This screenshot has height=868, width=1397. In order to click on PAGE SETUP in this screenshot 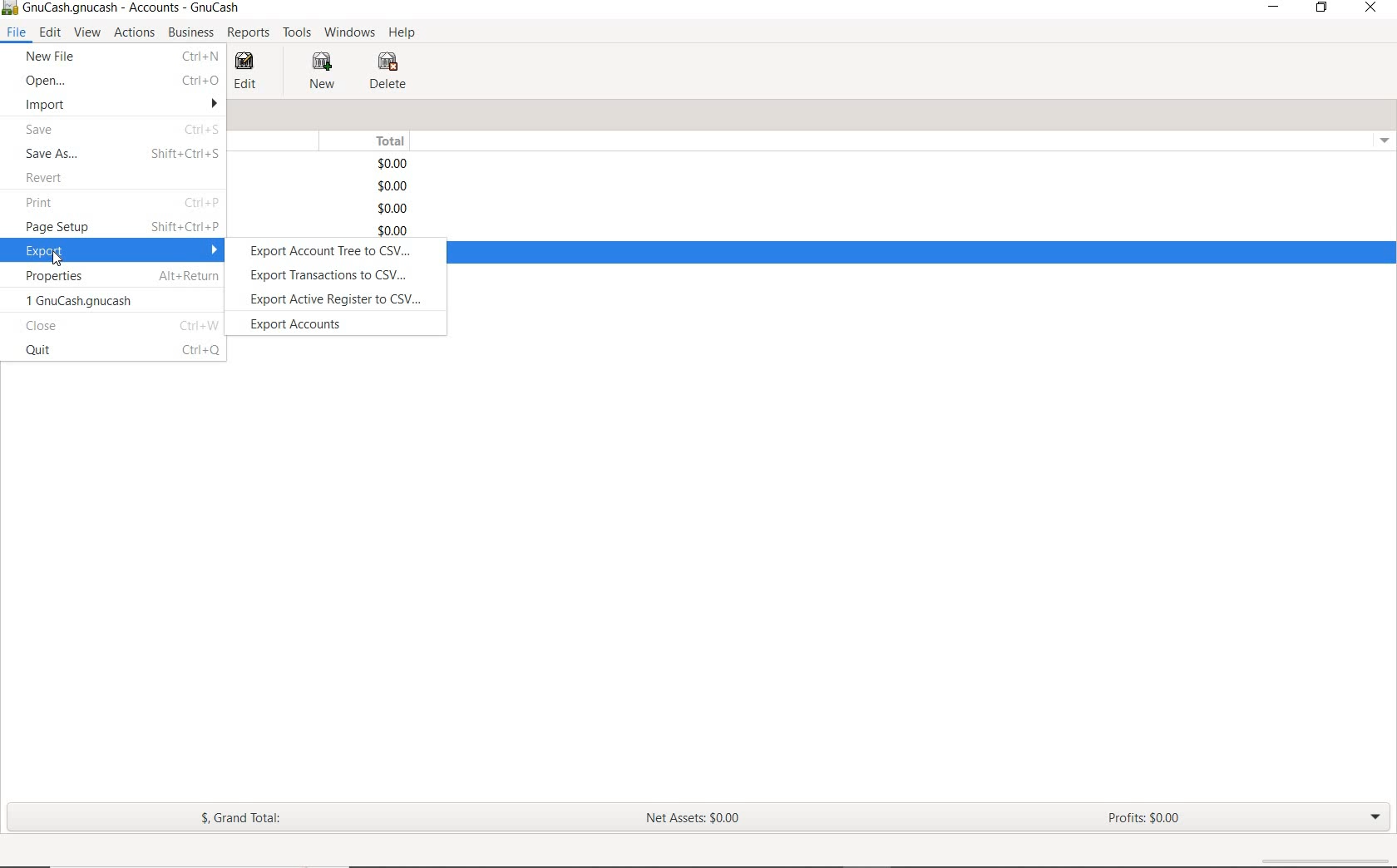, I will do `click(55, 227)`.